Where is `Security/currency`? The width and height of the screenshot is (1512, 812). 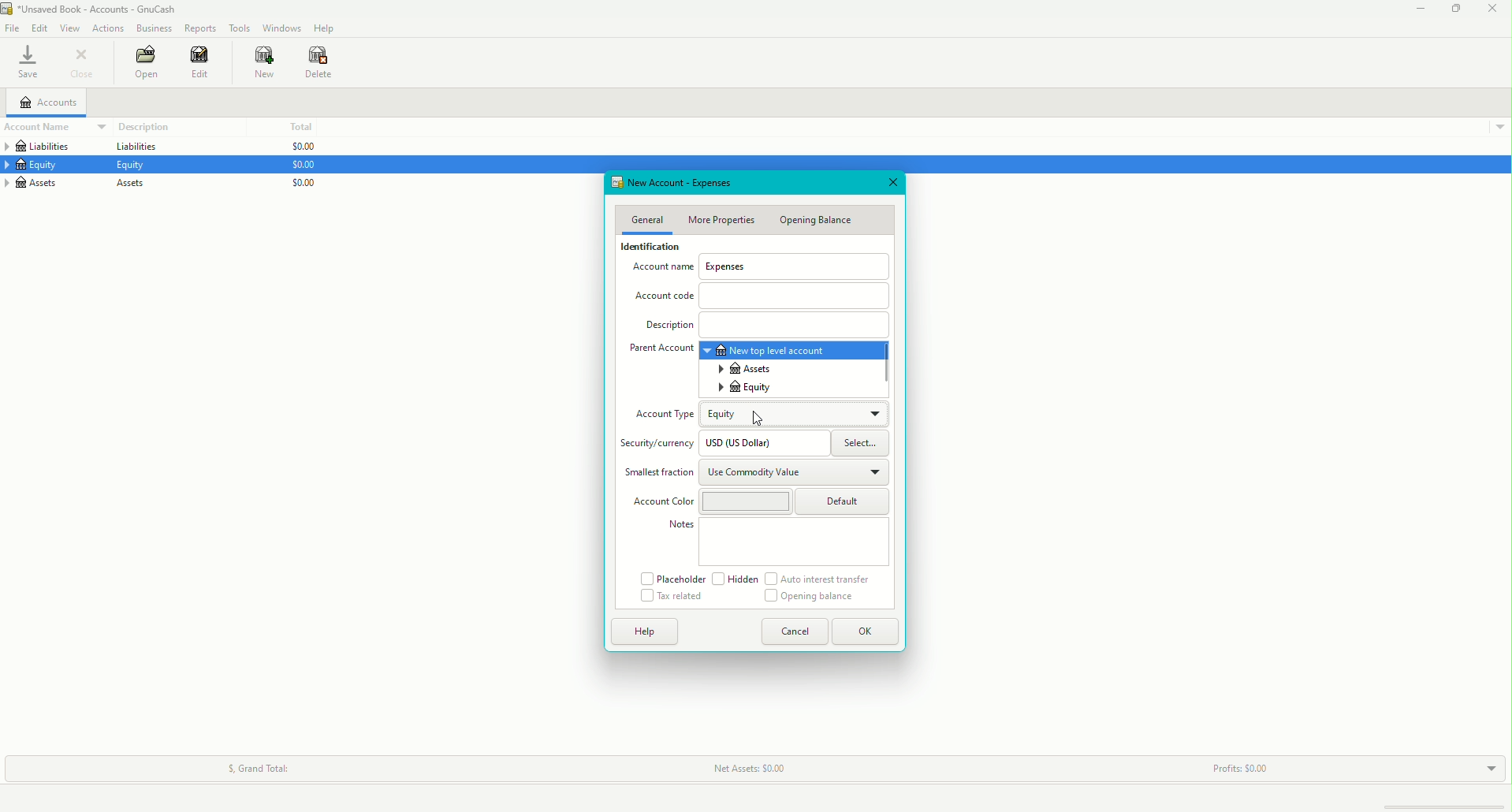
Security/currency is located at coordinates (659, 445).